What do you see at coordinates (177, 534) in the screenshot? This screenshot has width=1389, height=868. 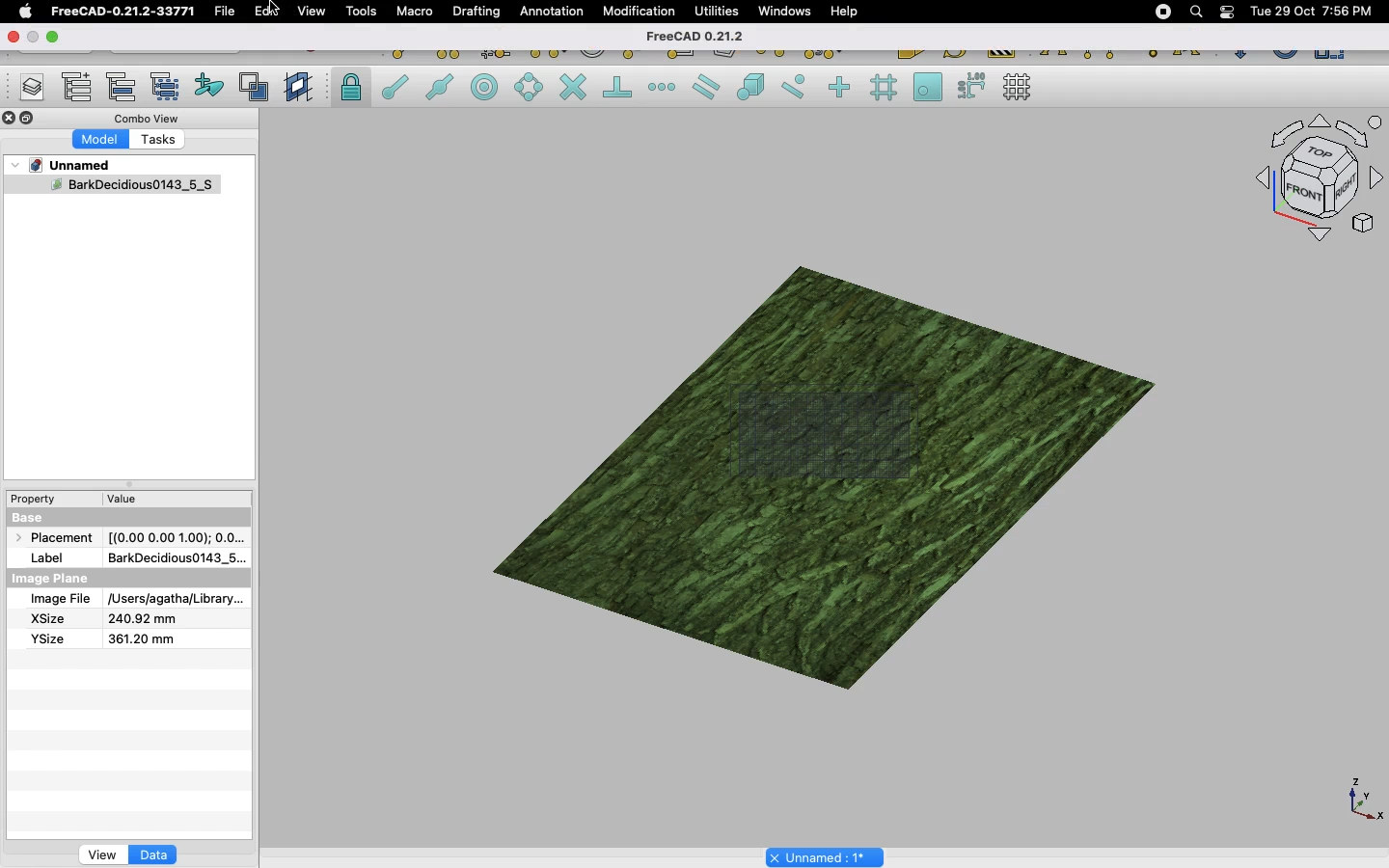 I see `0.00 0.00 1.00): 0.0.` at bounding box center [177, 534].